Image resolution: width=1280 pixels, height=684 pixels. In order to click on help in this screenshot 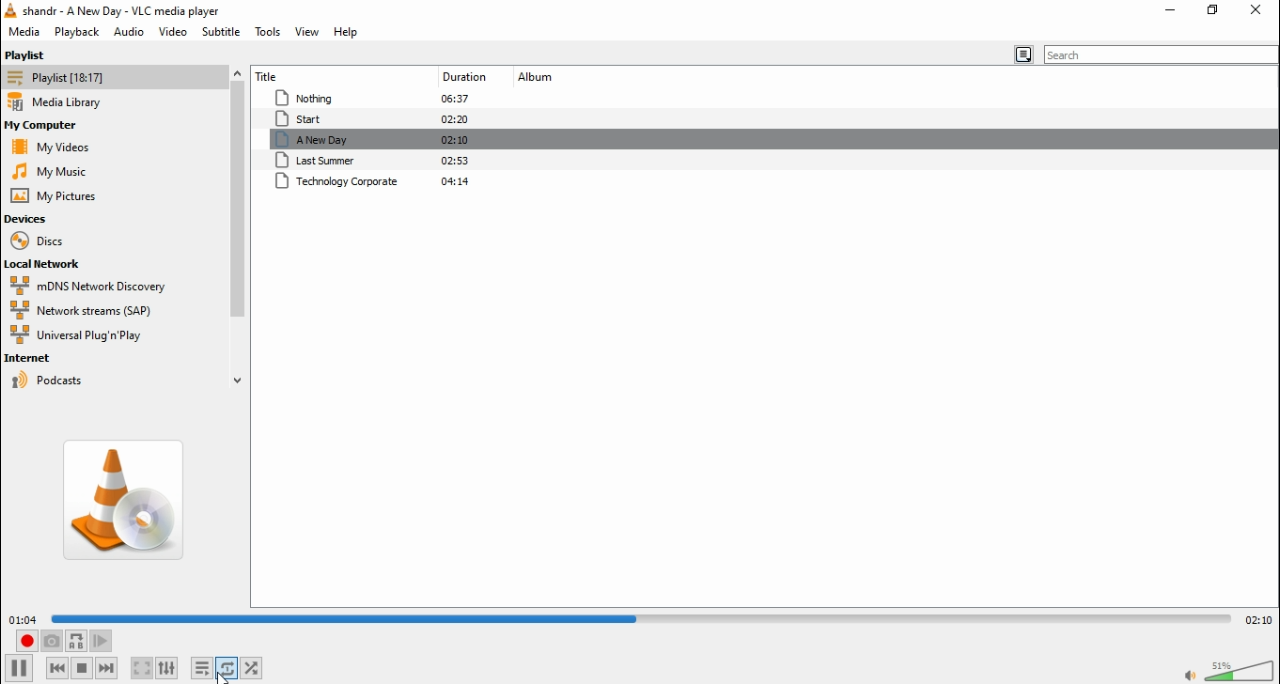, I will do `click(350, 34)`.